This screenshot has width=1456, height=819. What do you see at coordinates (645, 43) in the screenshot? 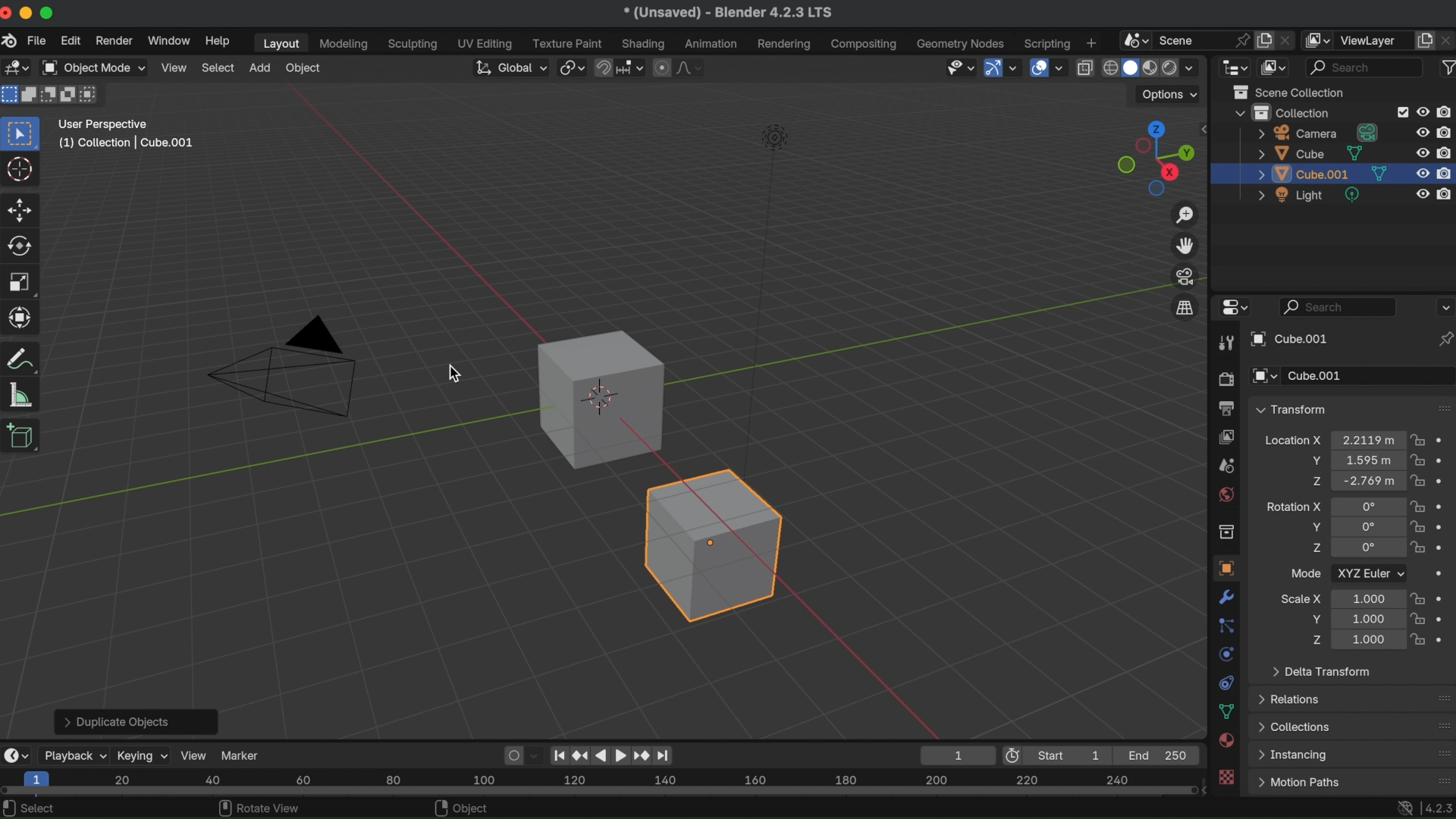
I see `shading` at bounding box center [645, 43].